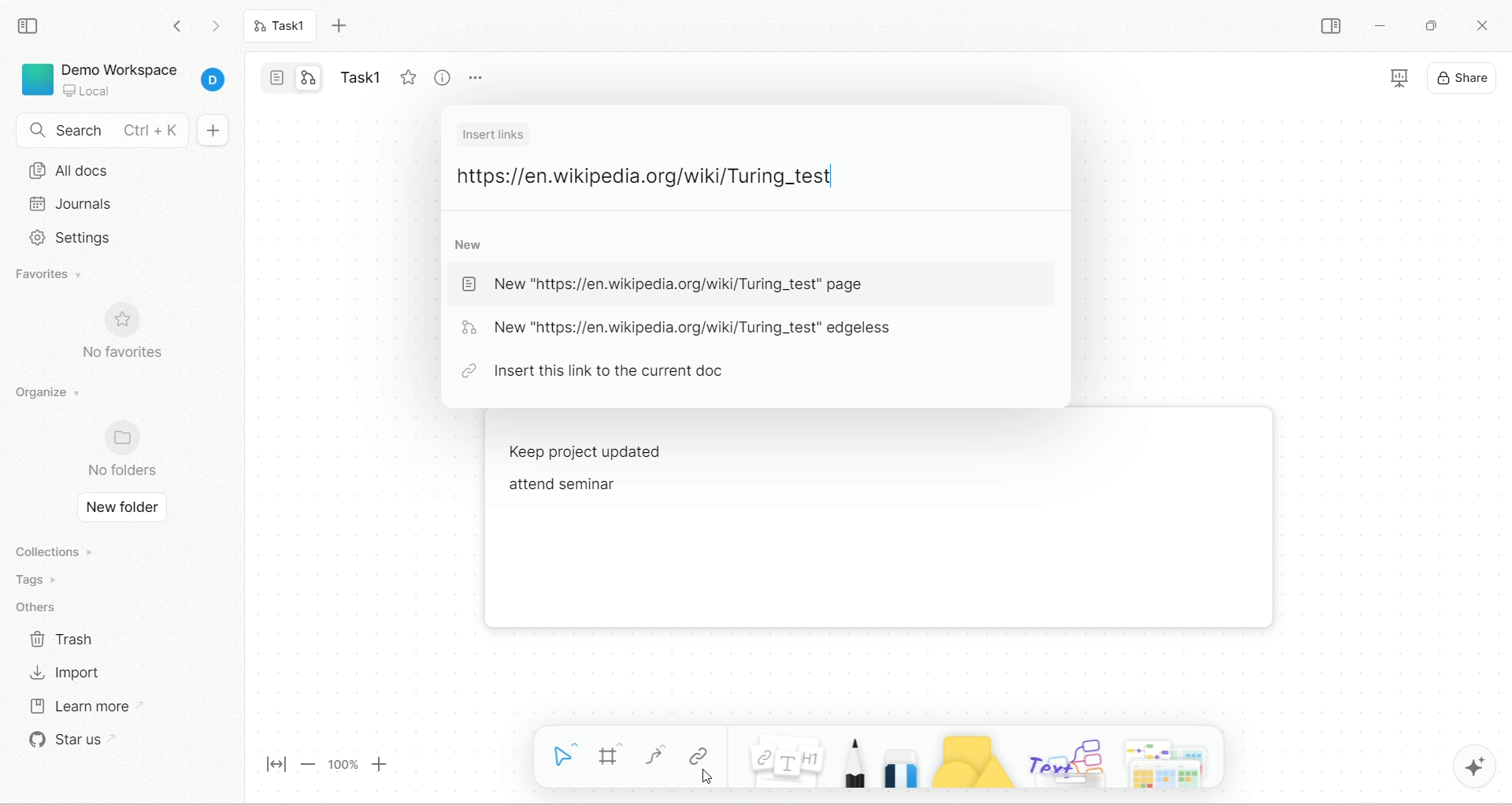 This screenshot has width=1512, height=805. What do you see at coordinates (699, 751) in the screenshot?
I see `link` at bounding box center [699, 751].